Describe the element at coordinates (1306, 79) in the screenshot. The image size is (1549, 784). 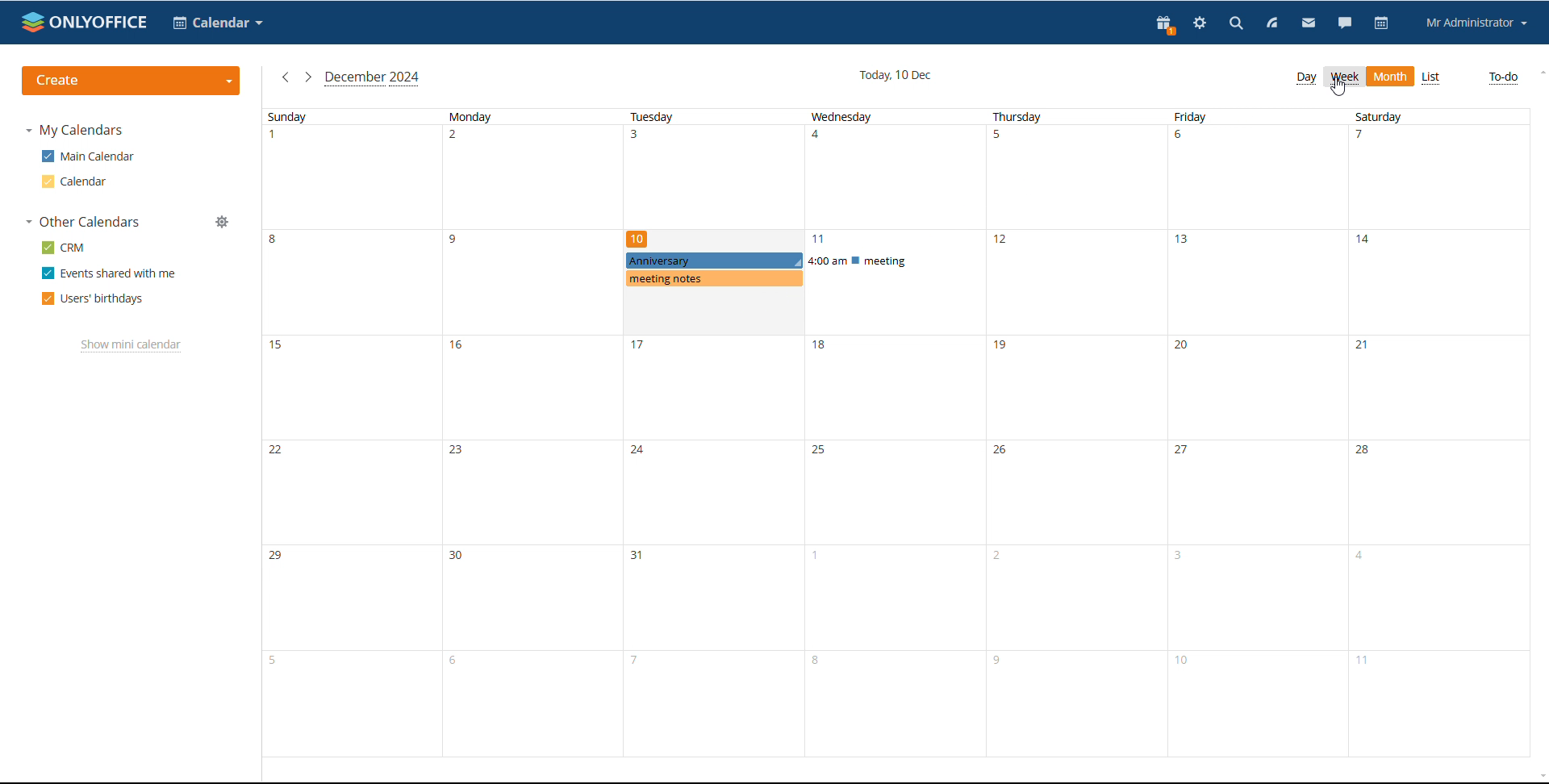
I see `day view` at that location.